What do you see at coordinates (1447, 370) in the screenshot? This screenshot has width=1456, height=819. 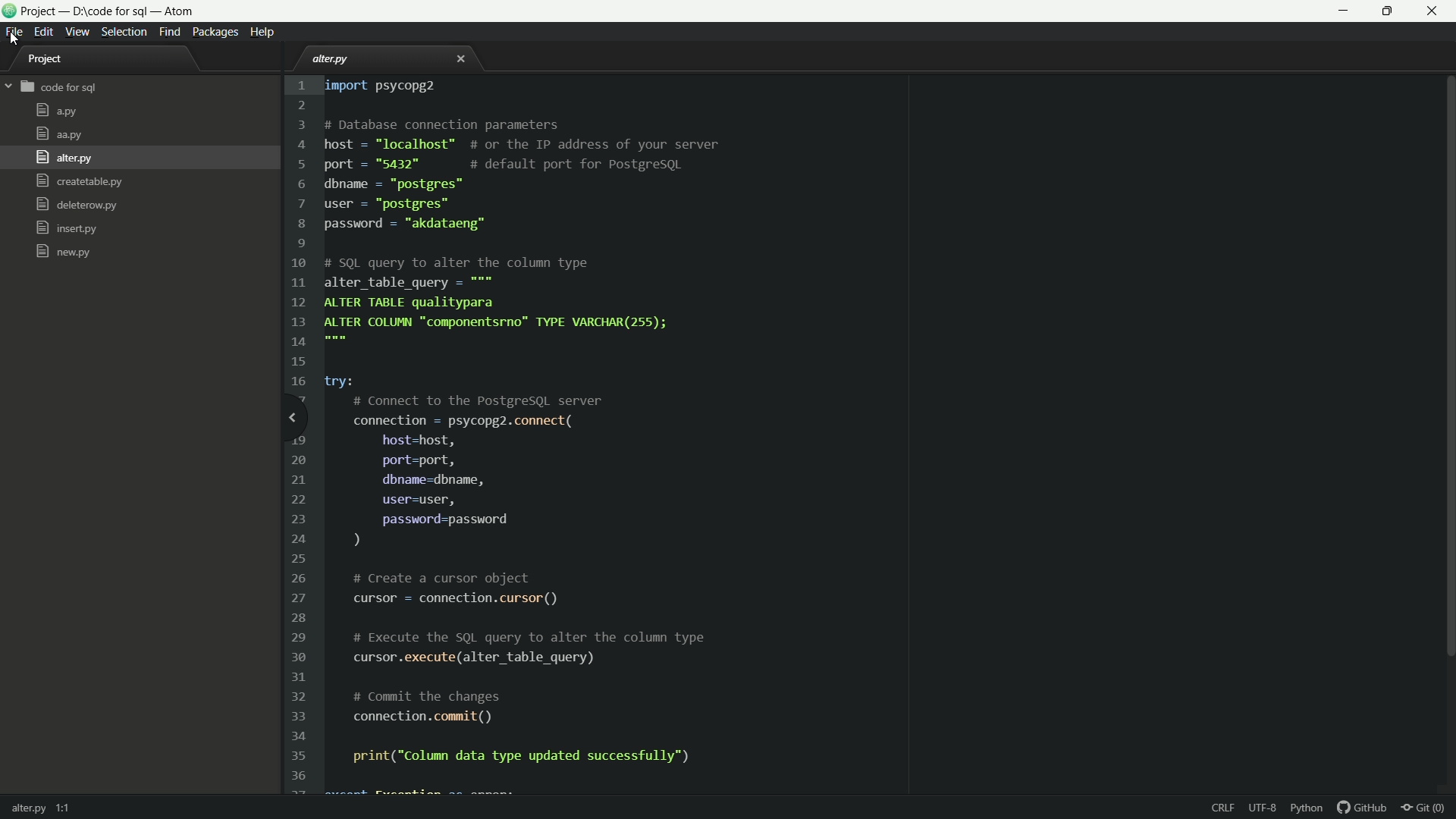 I see `scroll bar` at bounding box center [1447, 370].